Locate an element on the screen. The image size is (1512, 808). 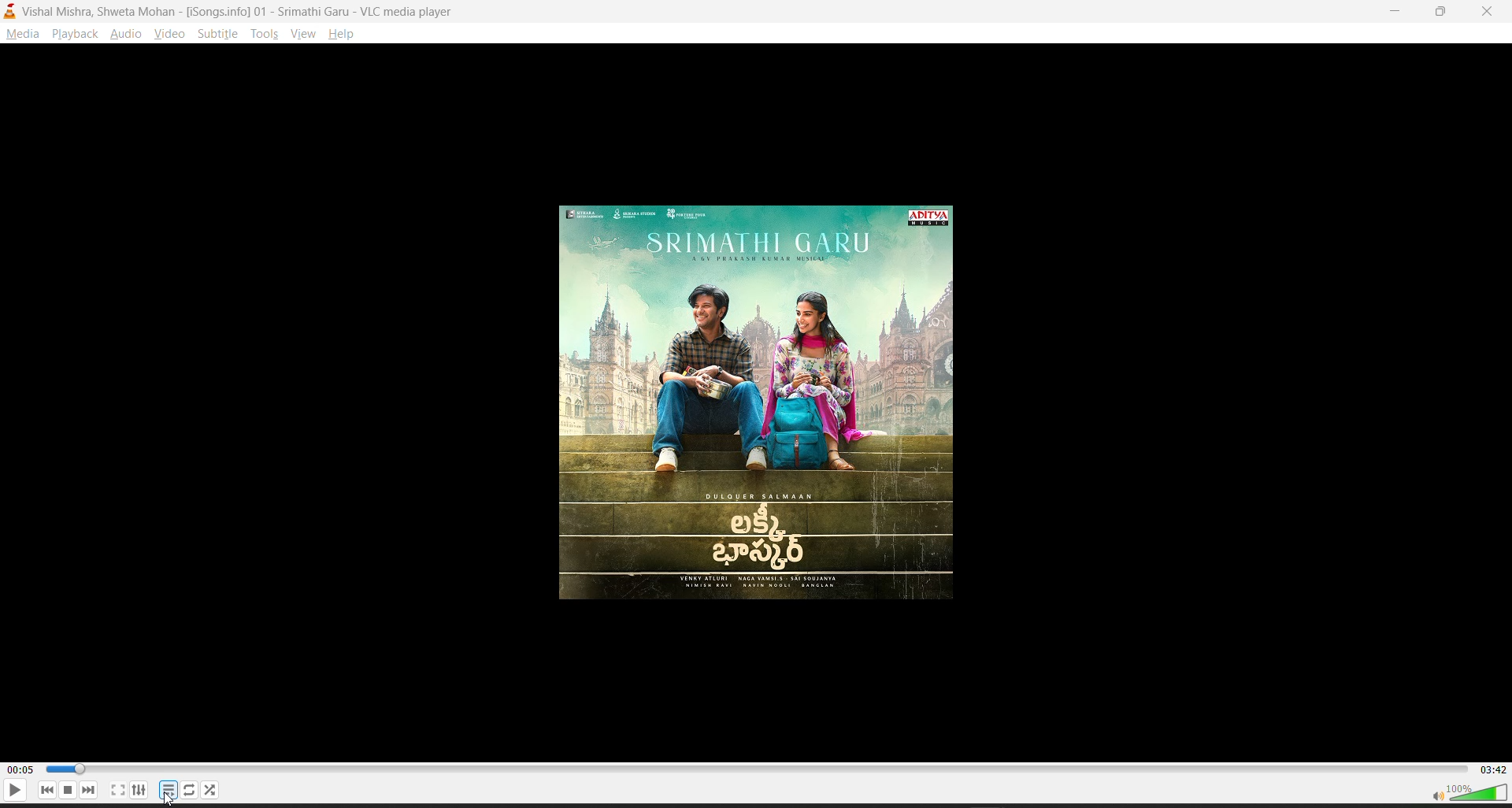
stop is located at coordinates (69, 791).